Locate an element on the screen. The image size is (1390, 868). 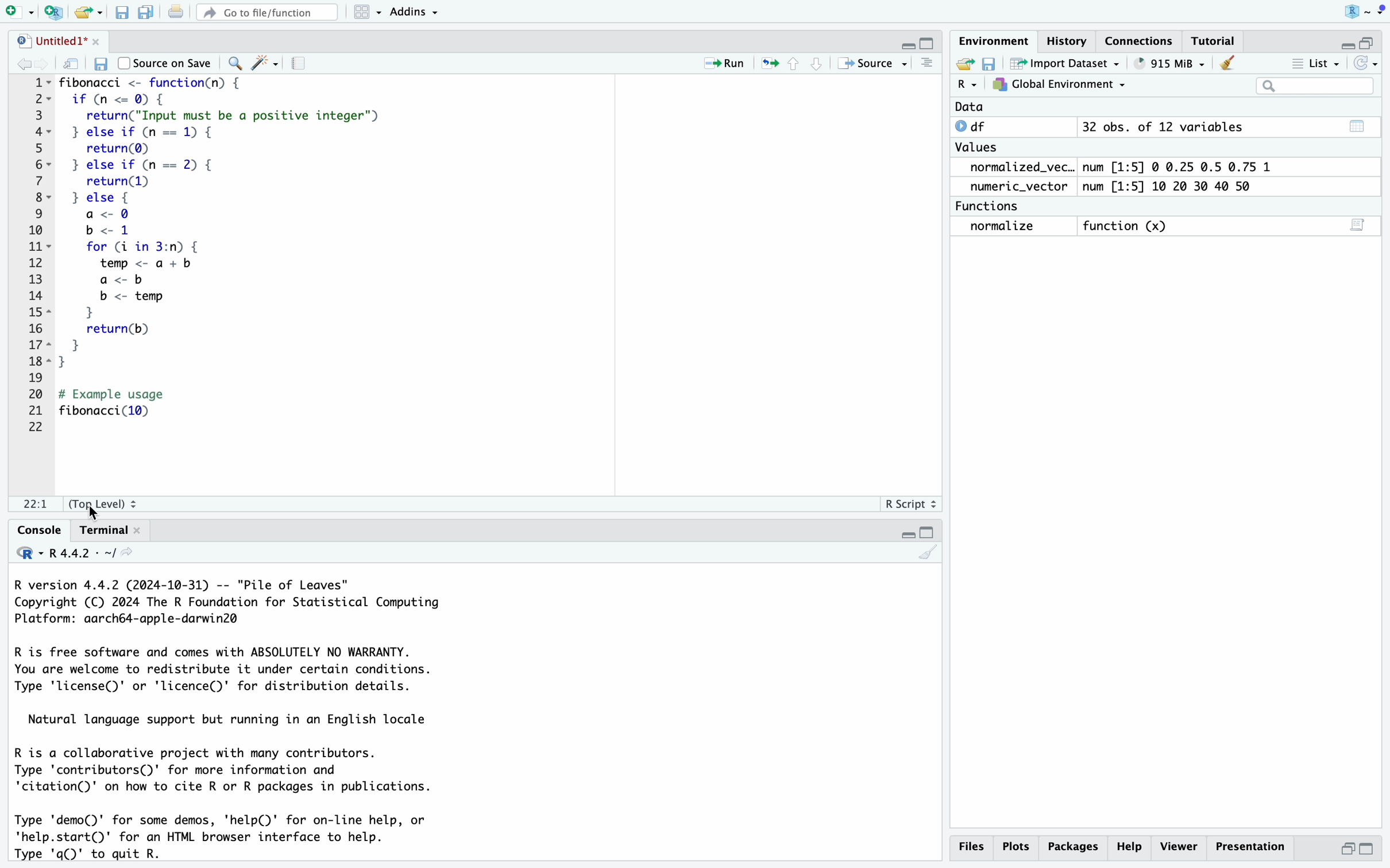
df is located at coordinates (979, 126).